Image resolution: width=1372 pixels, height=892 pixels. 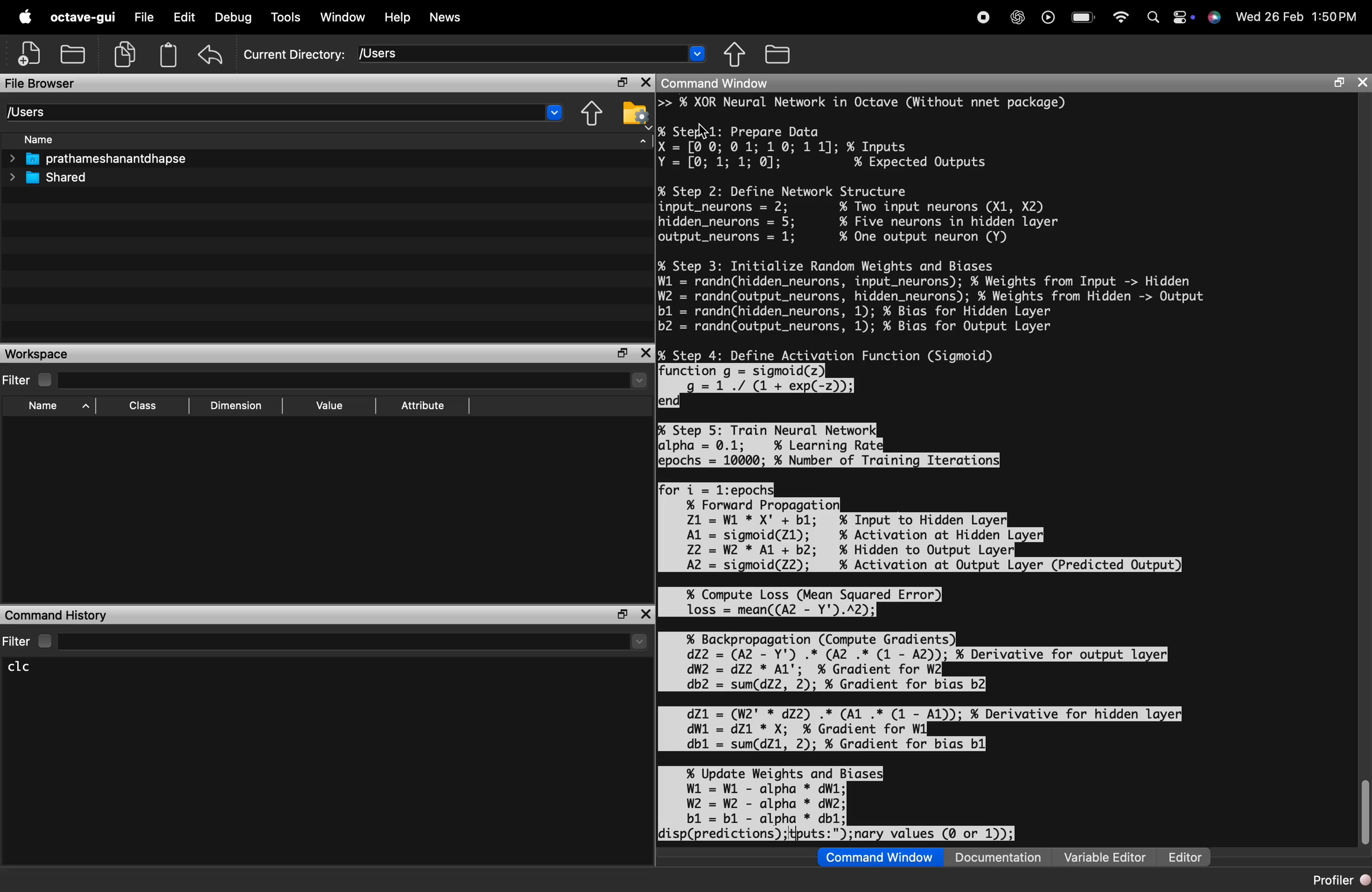 What do you see at coordinates (879, 857) in the screenshot?
I see `Command Window` at bounding box center [879, 857].